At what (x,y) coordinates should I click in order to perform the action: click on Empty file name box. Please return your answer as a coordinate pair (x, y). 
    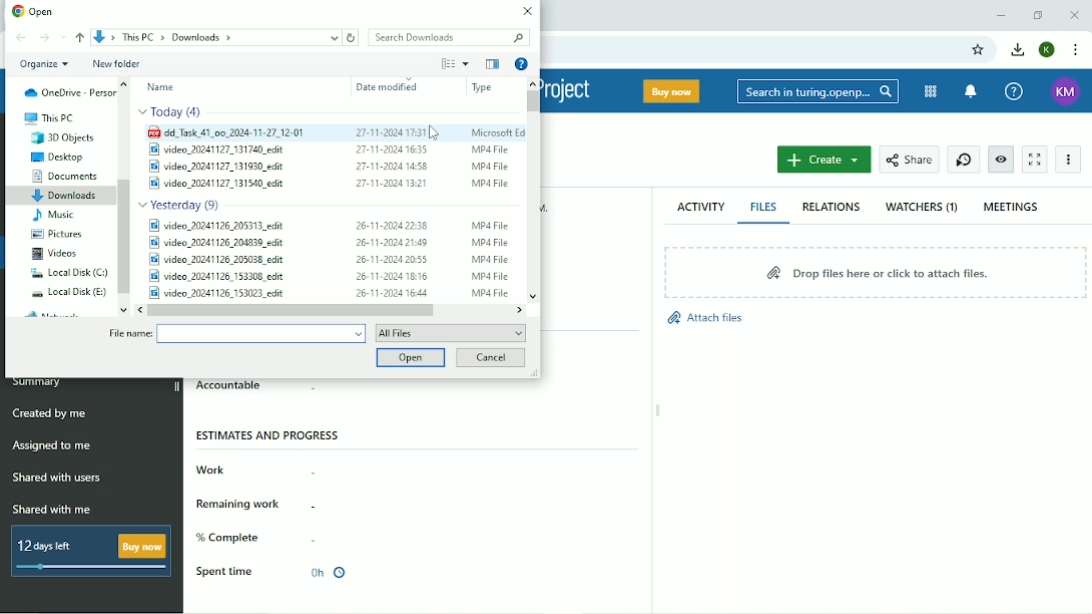
    Looking at the image, I should click on (261, 334).